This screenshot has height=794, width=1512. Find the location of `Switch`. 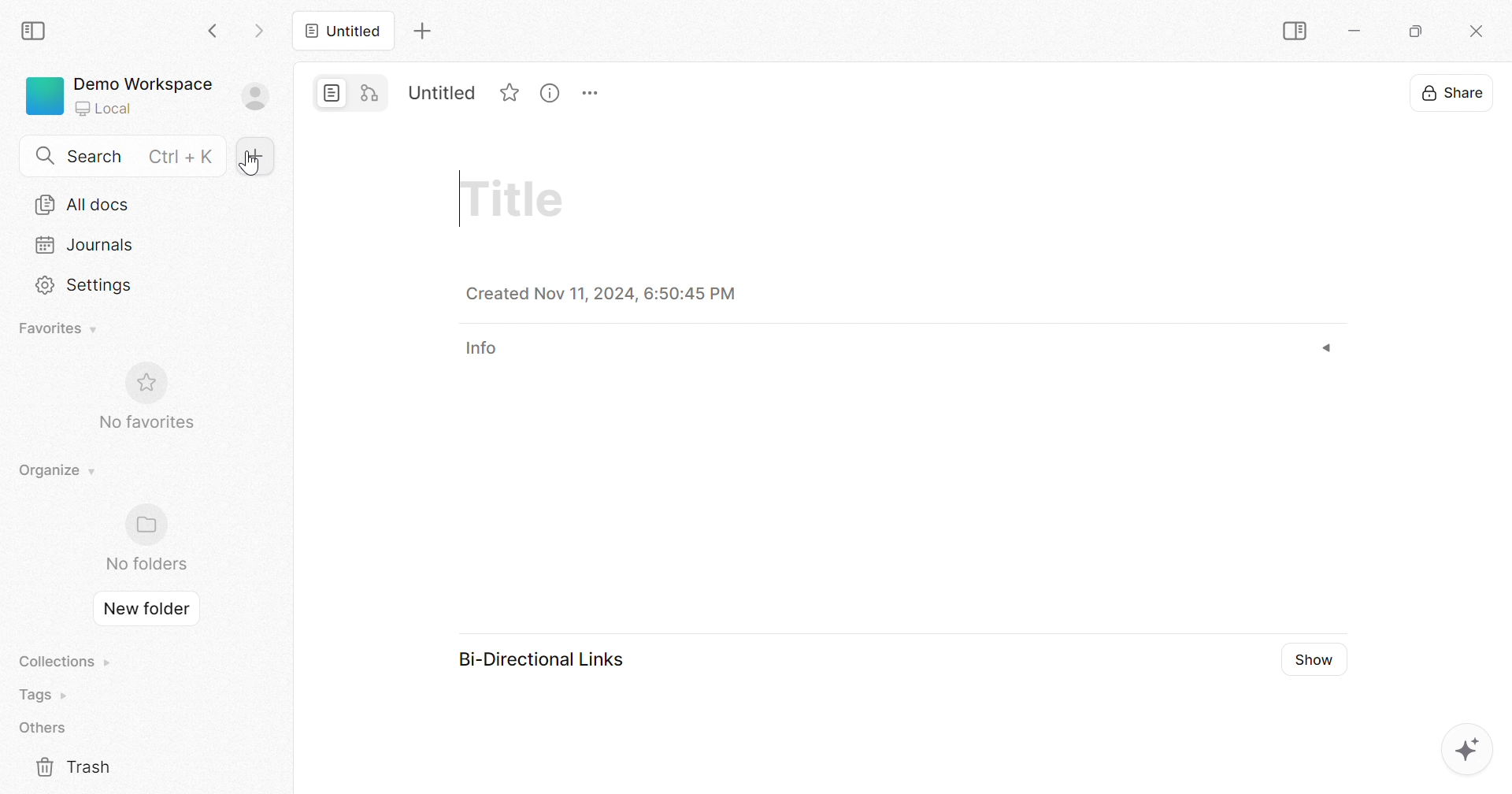

Switch is located at coordinates (350, 93).